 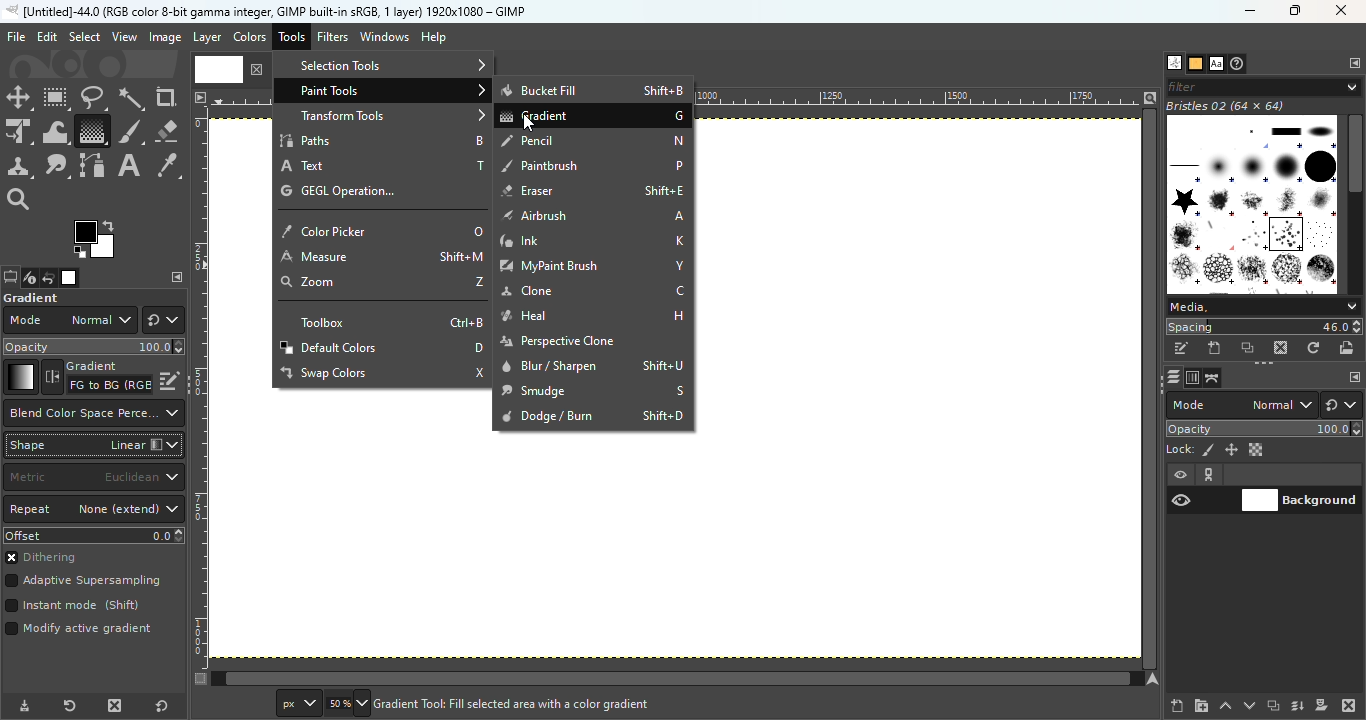 What do you see at coordinates (1345, 405) in the screenshot?
I see `Switch to another group of modes` at bounding box center [1345, 405].